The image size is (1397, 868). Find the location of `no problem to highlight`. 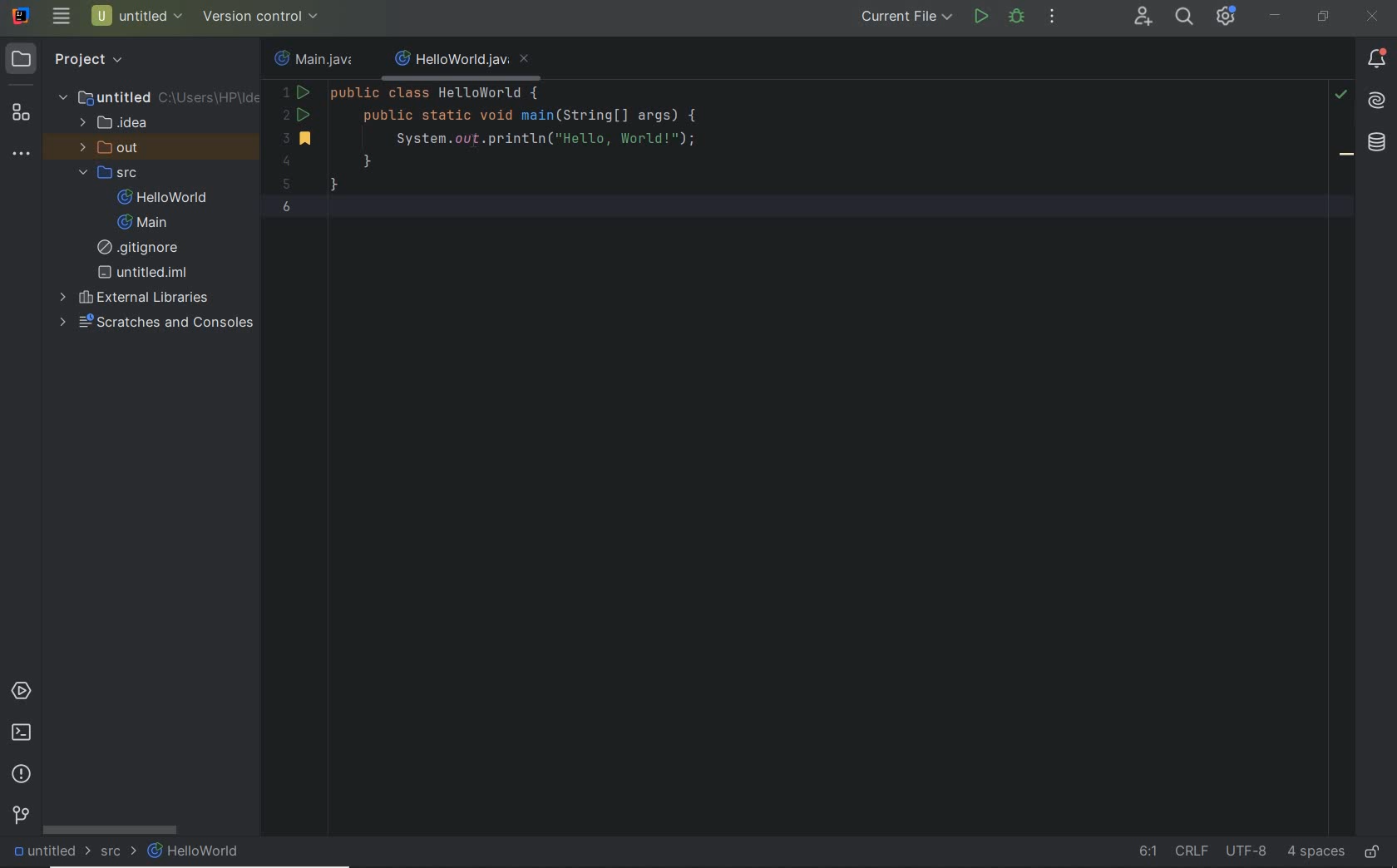

no problem to highlight is located at coordinates (1340, 94).